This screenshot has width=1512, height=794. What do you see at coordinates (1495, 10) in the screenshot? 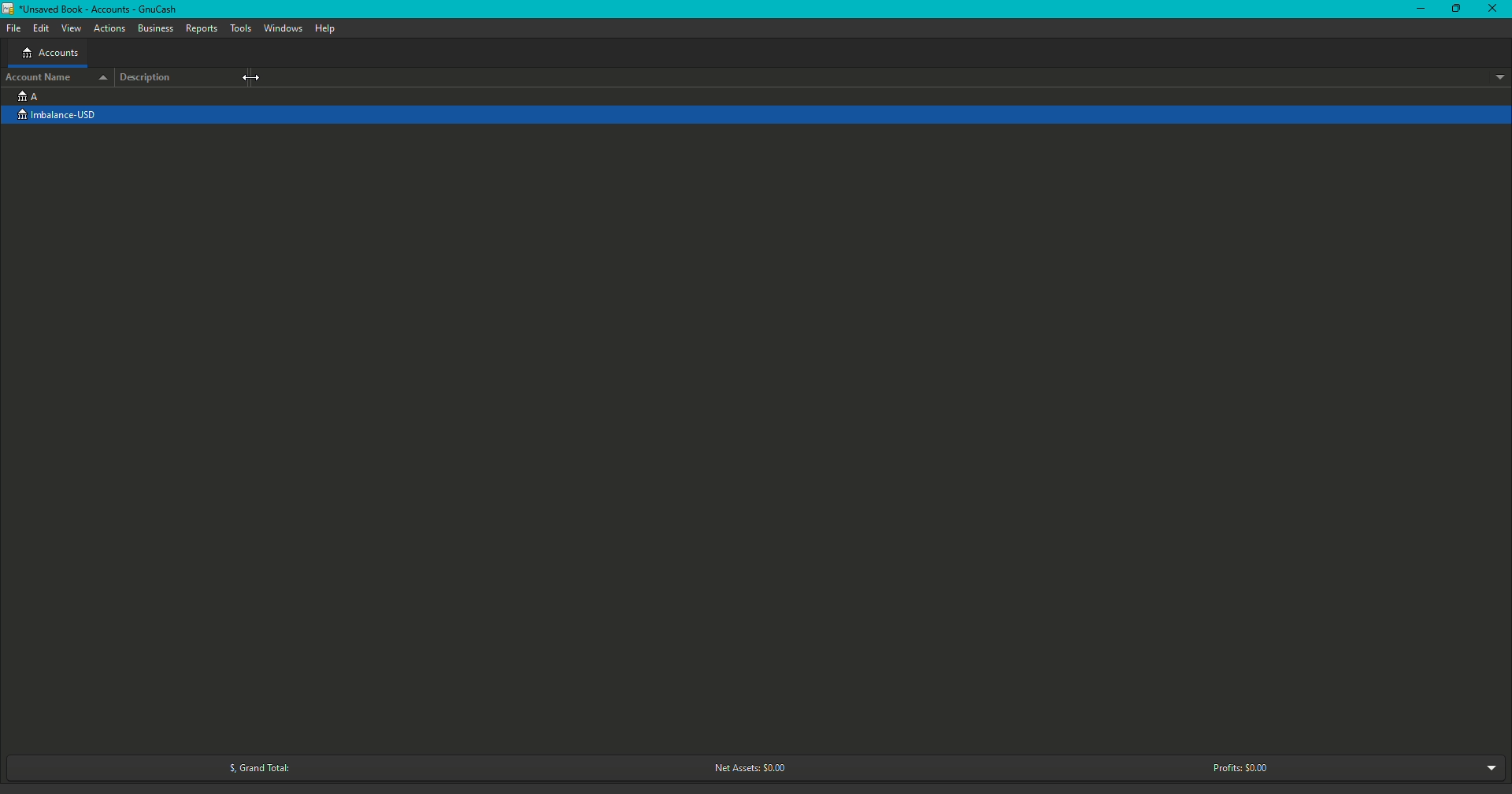
I see `Close` at bounding box center [1495, 10].